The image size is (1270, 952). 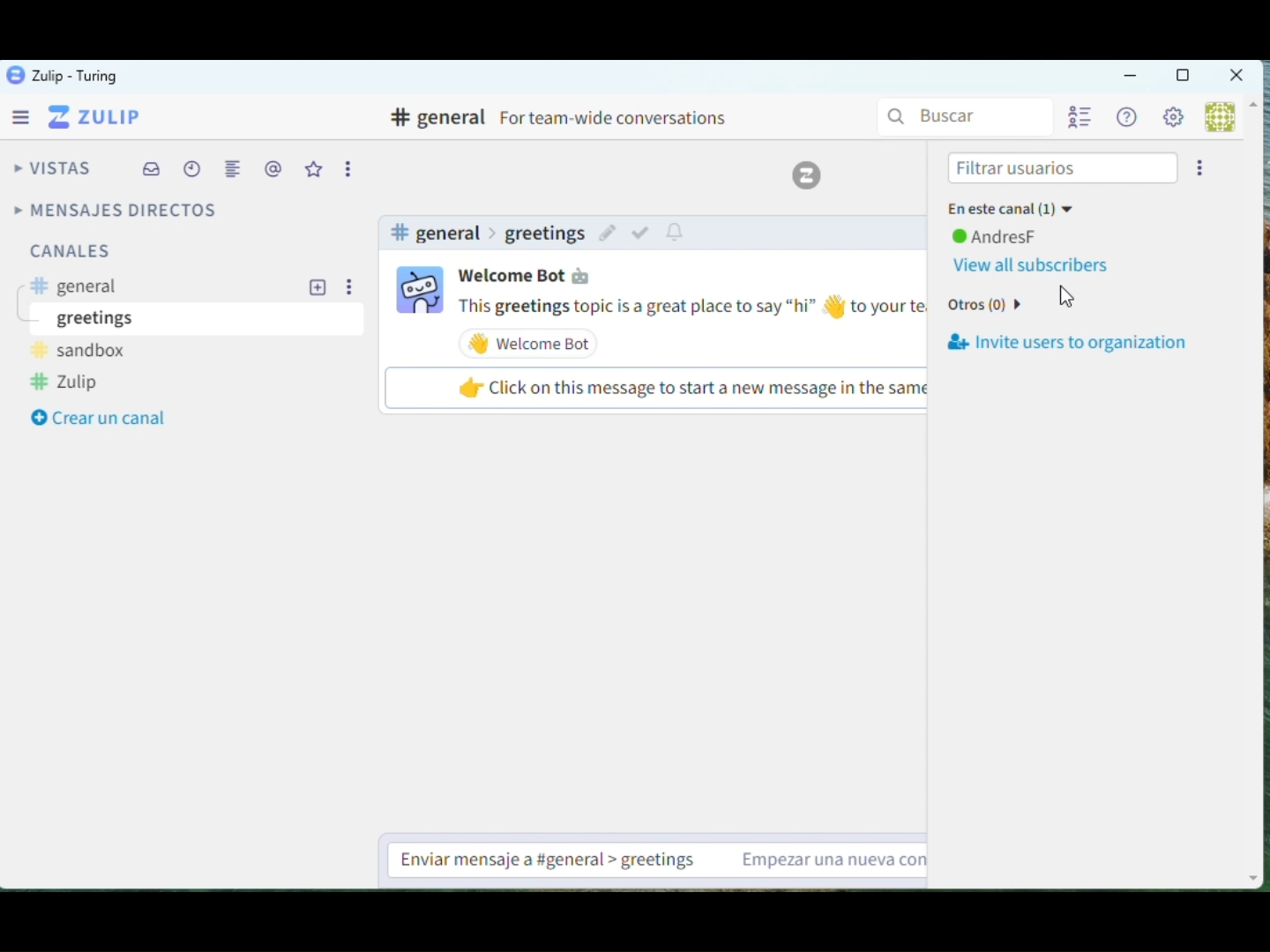 What do you see at coordinates (1027, 266) in the screenshot?
I see `View all subscribers` at bounding box center [1027, 266].